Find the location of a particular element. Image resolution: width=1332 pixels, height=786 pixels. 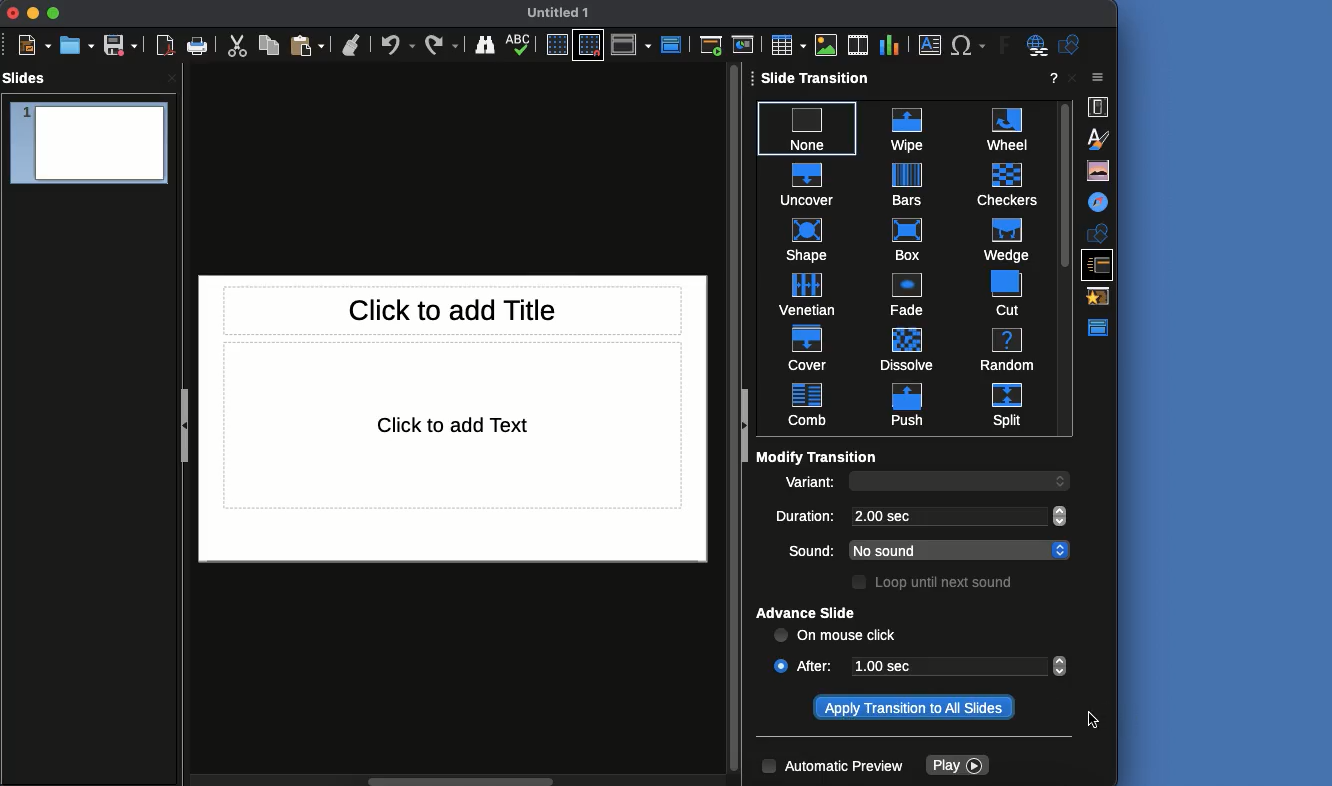

cut is located at coordinates (997, 291).